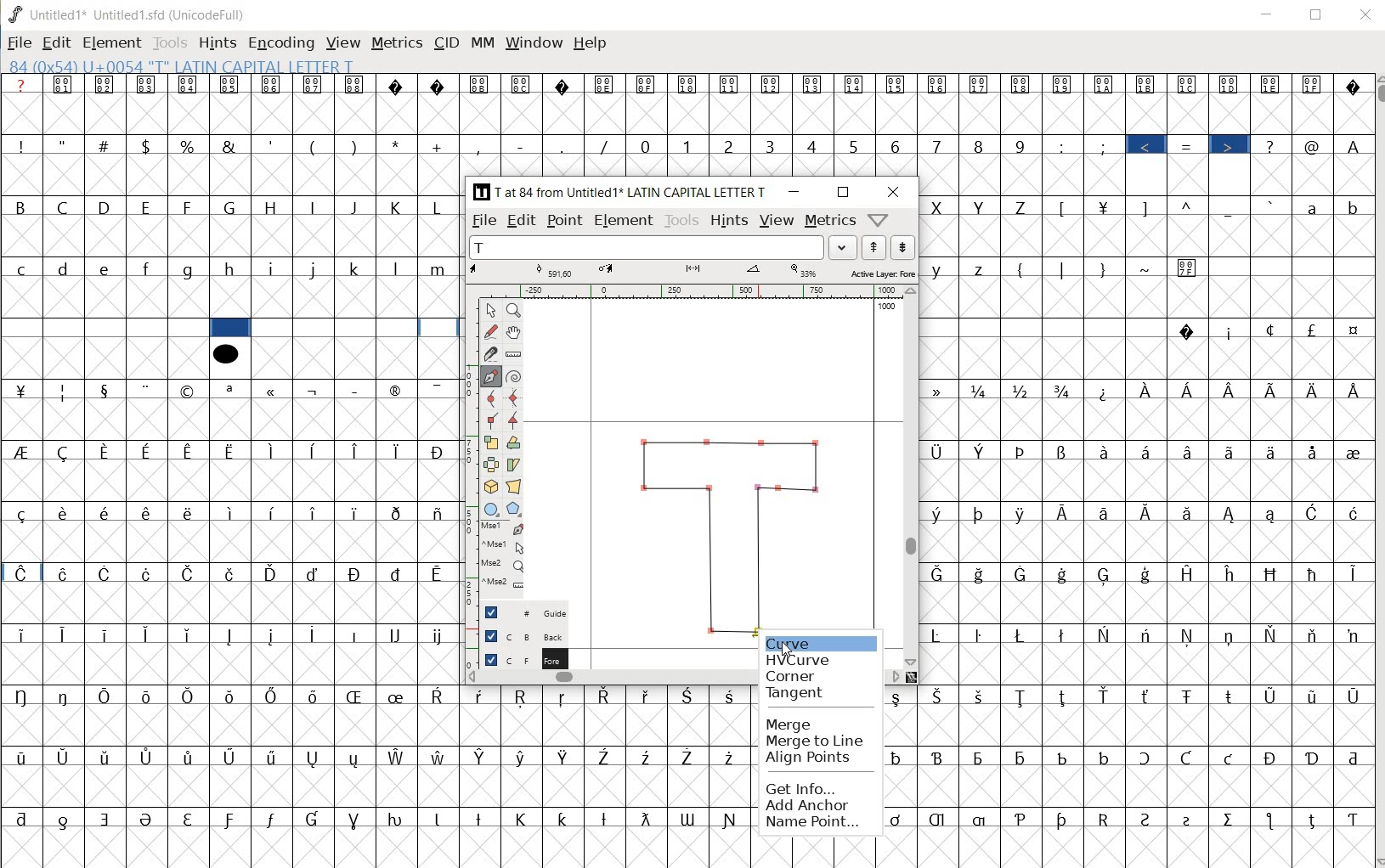 This screenshot has width=1385, height=868. I want to click on guide layer, so click(524, 612).